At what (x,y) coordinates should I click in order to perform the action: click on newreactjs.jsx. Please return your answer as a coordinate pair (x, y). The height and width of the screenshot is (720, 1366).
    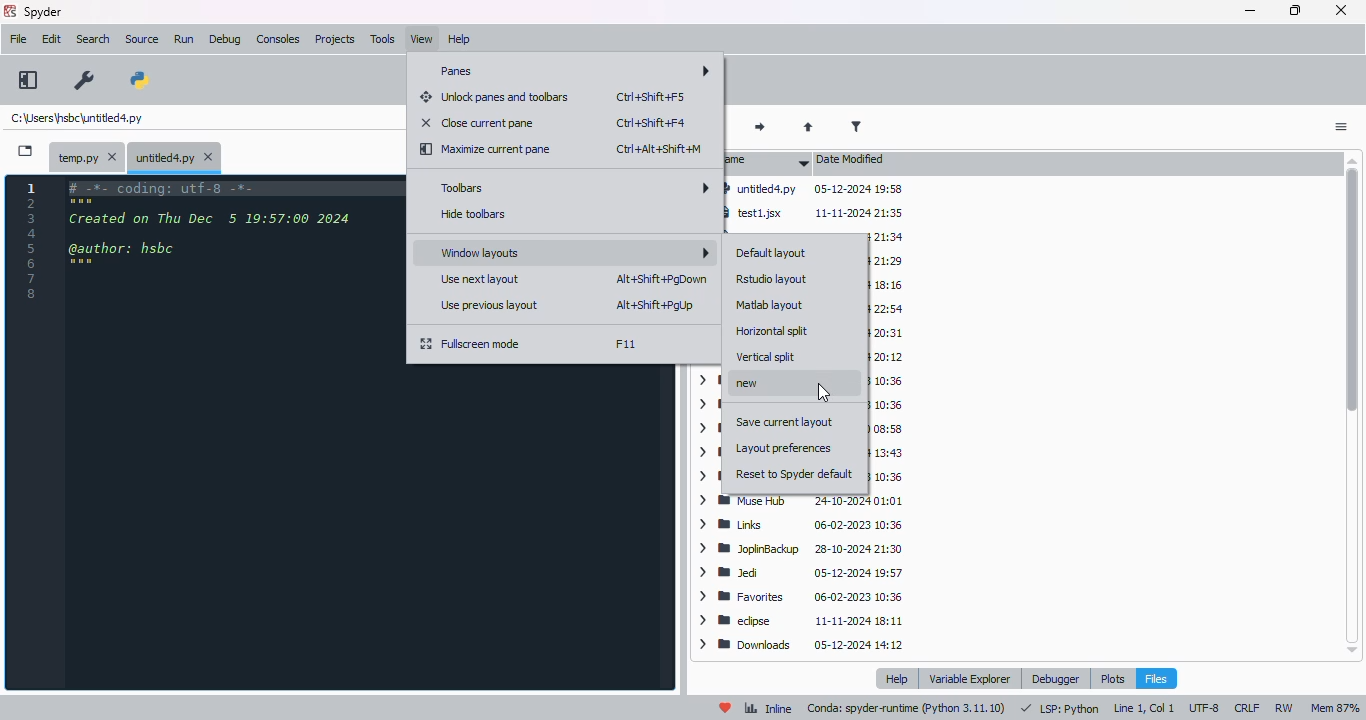
    Looking at the image, I should click on (886, 263).